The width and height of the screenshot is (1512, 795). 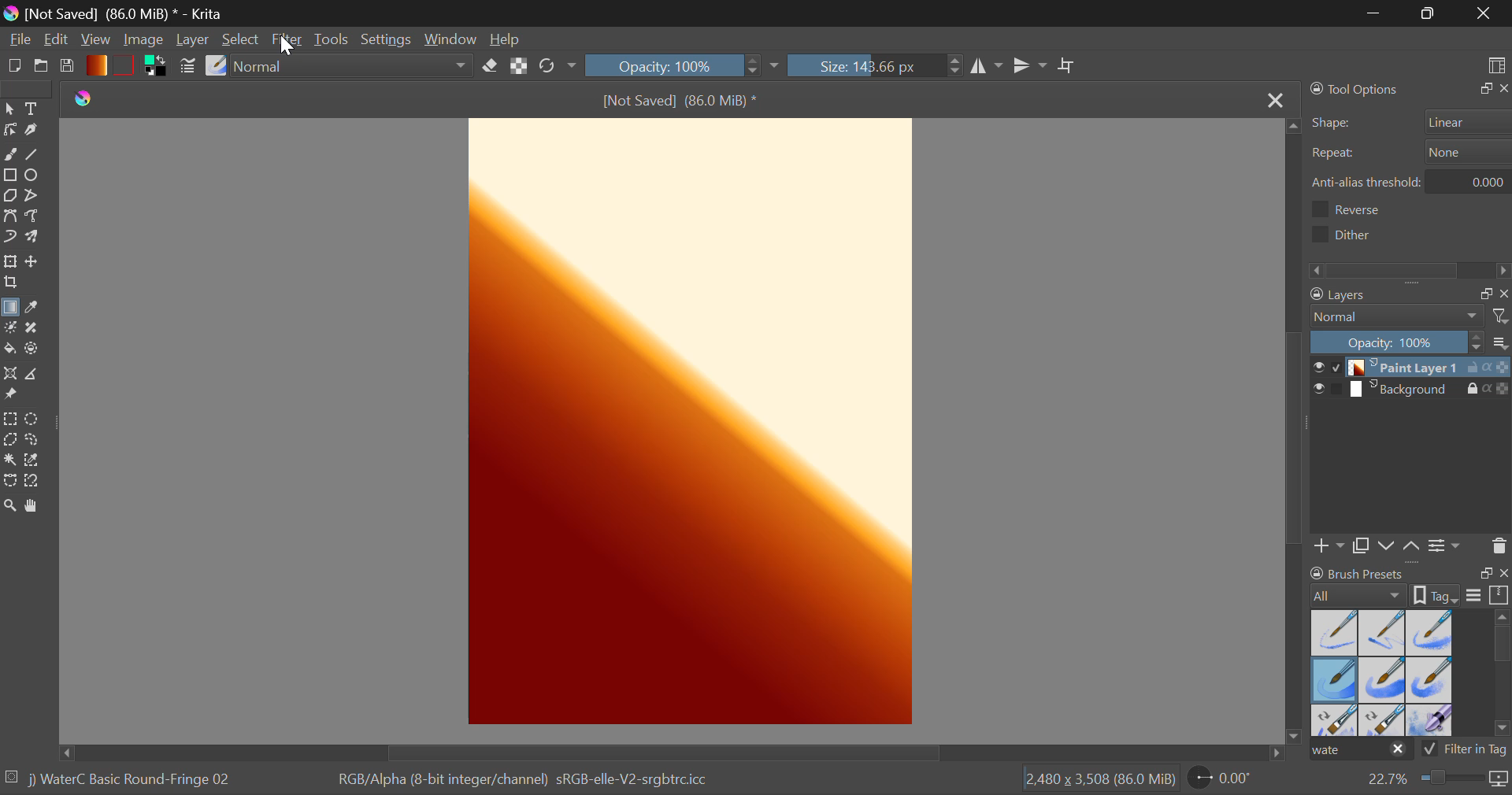 I want to click on cursor on filter, so click(x=287, y=46).